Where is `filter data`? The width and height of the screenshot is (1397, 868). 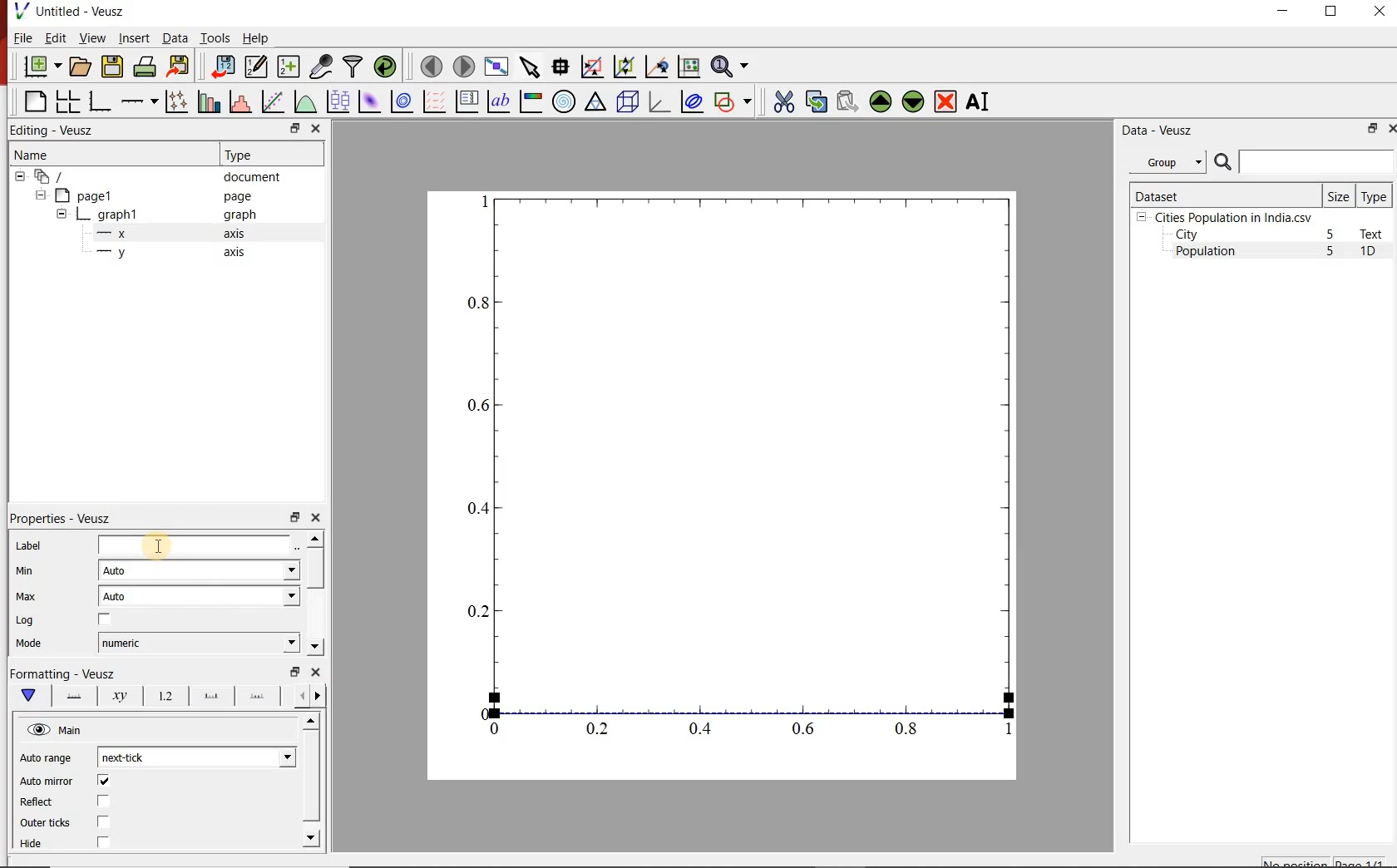
filter data is located at coordinates (353, 67).